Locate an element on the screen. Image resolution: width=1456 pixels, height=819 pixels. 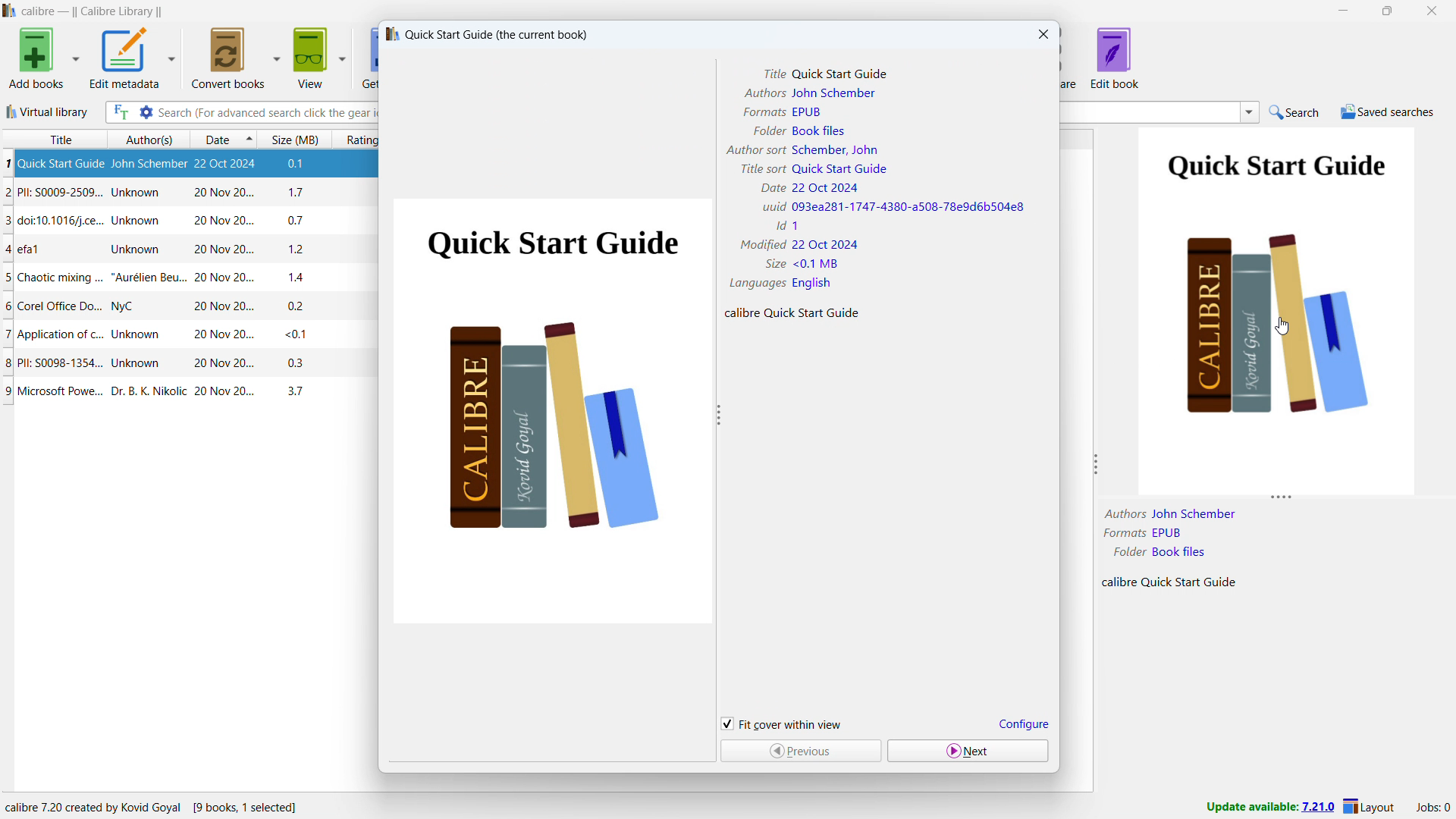
EPUB is located at coordinates (807, 113).